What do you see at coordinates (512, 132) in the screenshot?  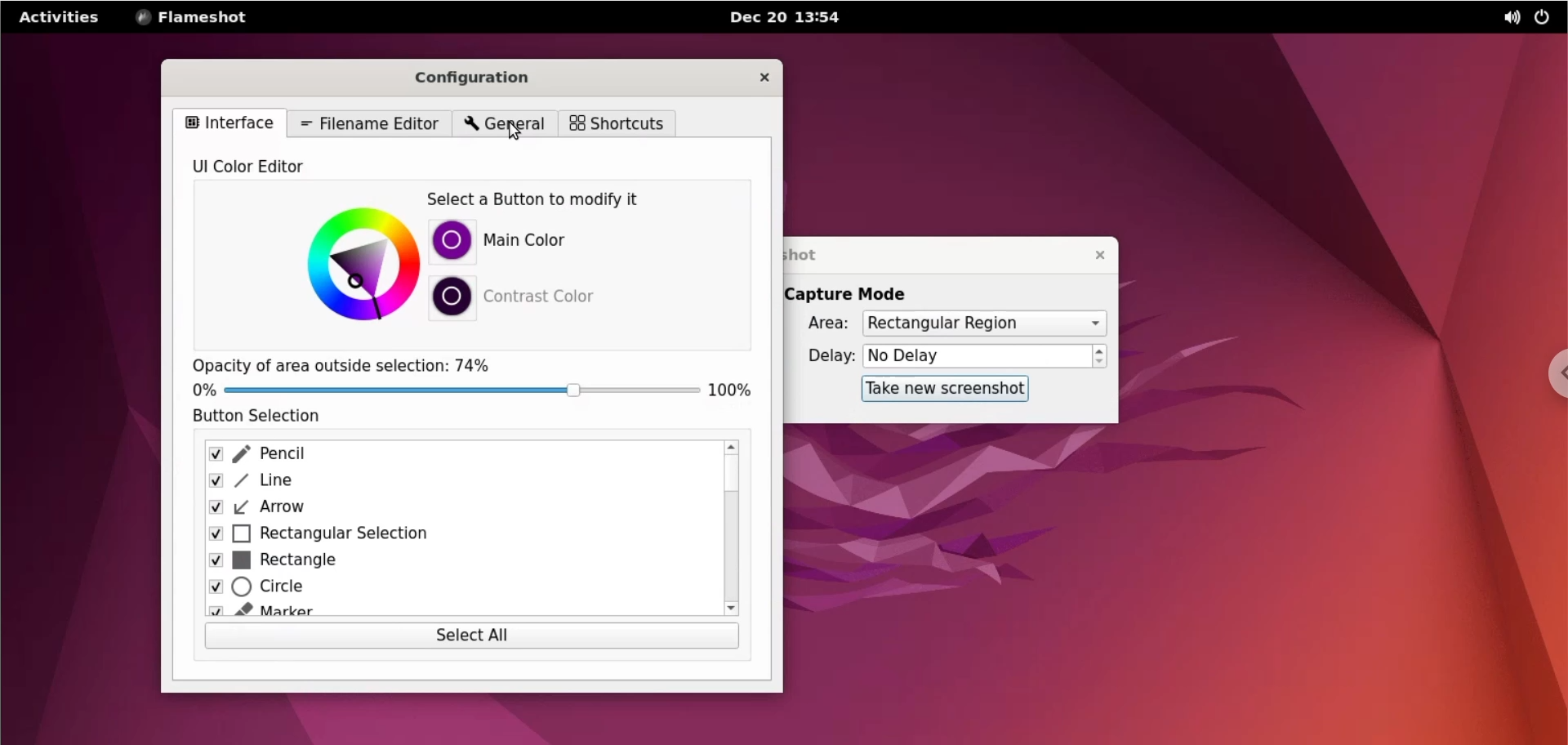 I see `cursor` at bounding box center [512, 132].